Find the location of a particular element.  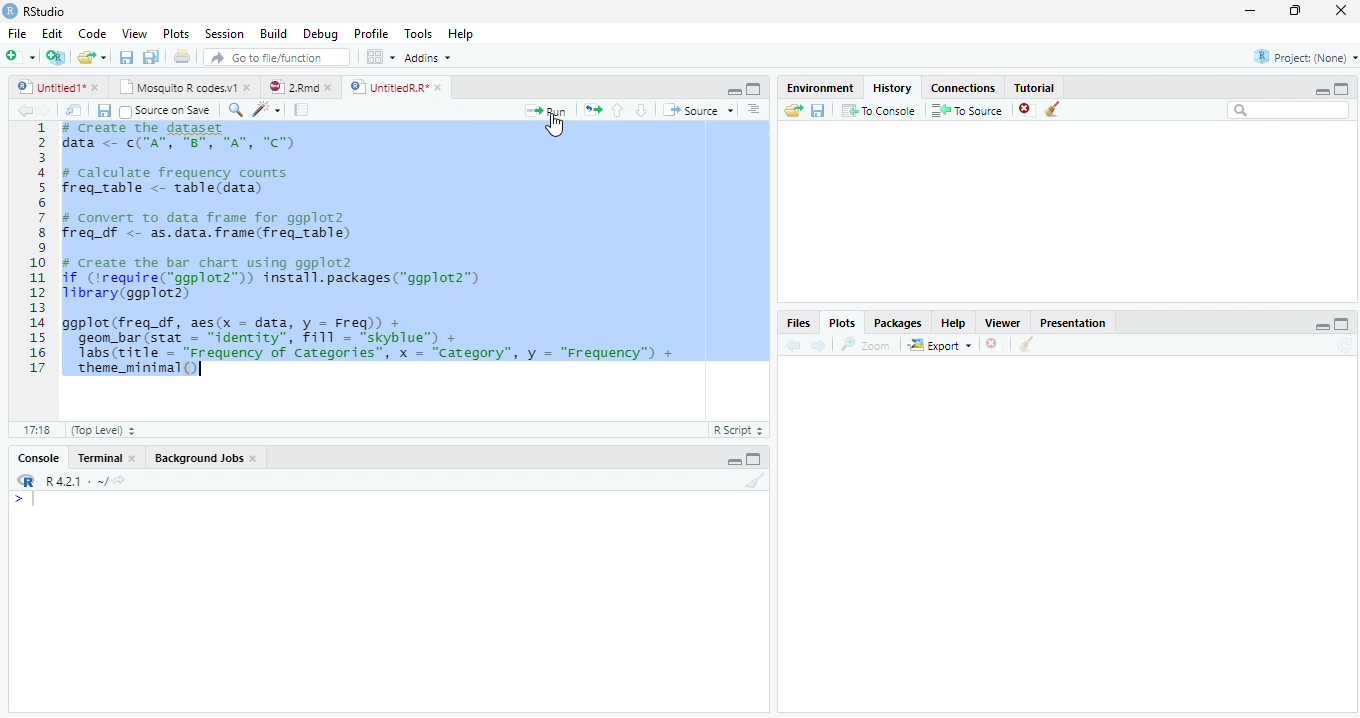

Go ro file/function is located at coordinates (275, 58).